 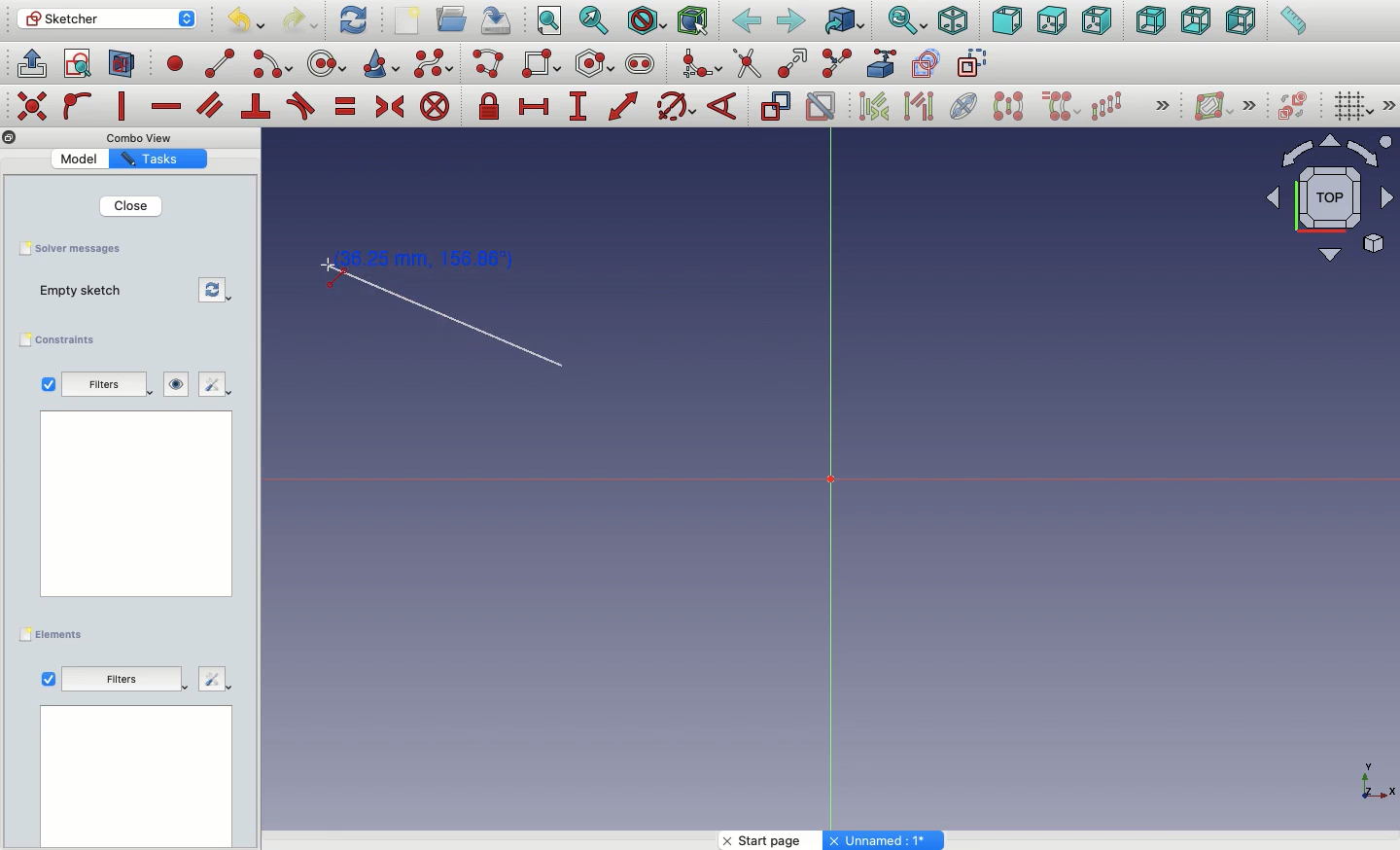 What do you see at coordinates (1149, 21) in the screenshot?
I see `Rear` at bounding box center [1149, 21].